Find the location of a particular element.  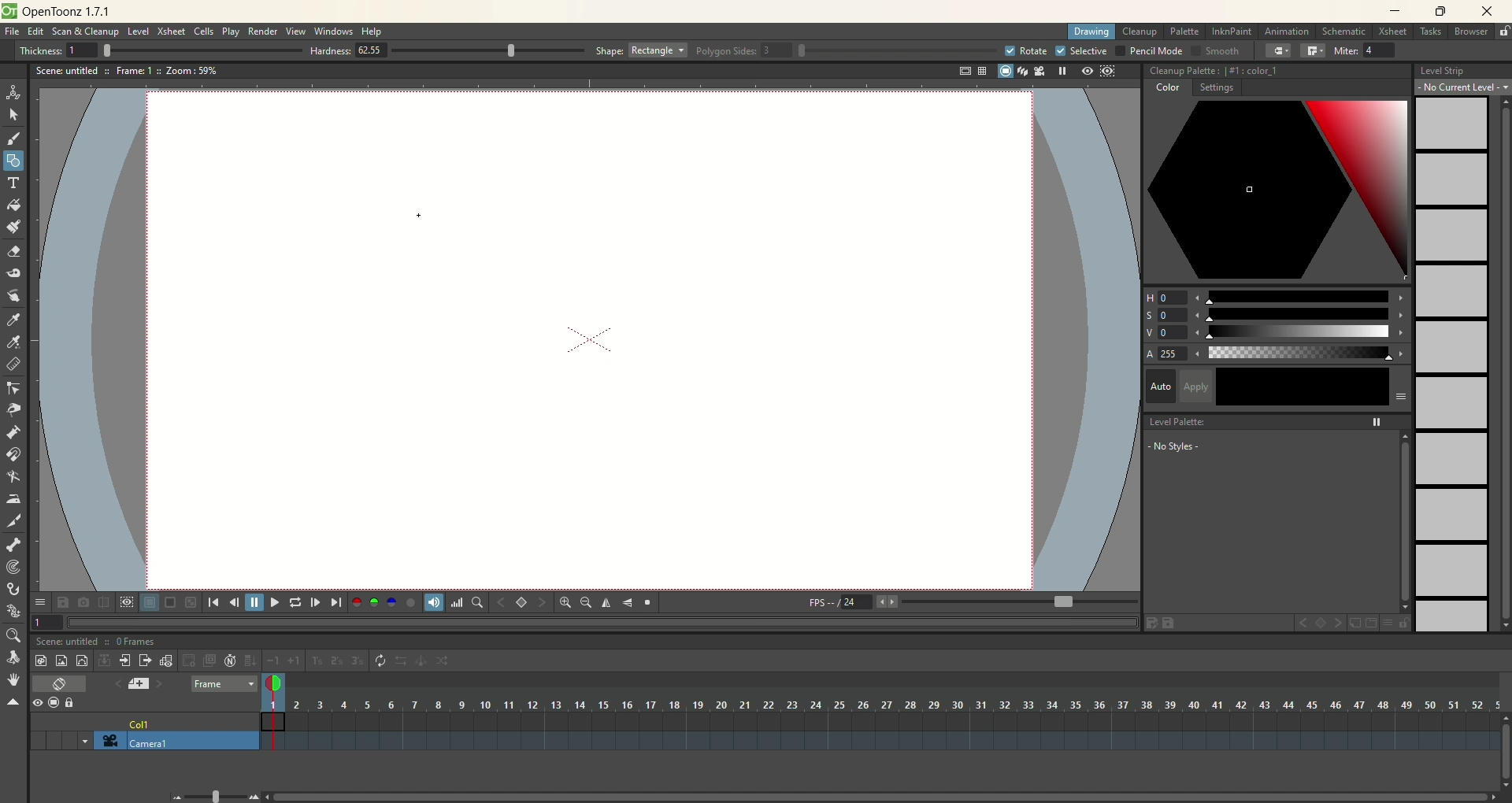

next key is located at coordinates (542, 603).